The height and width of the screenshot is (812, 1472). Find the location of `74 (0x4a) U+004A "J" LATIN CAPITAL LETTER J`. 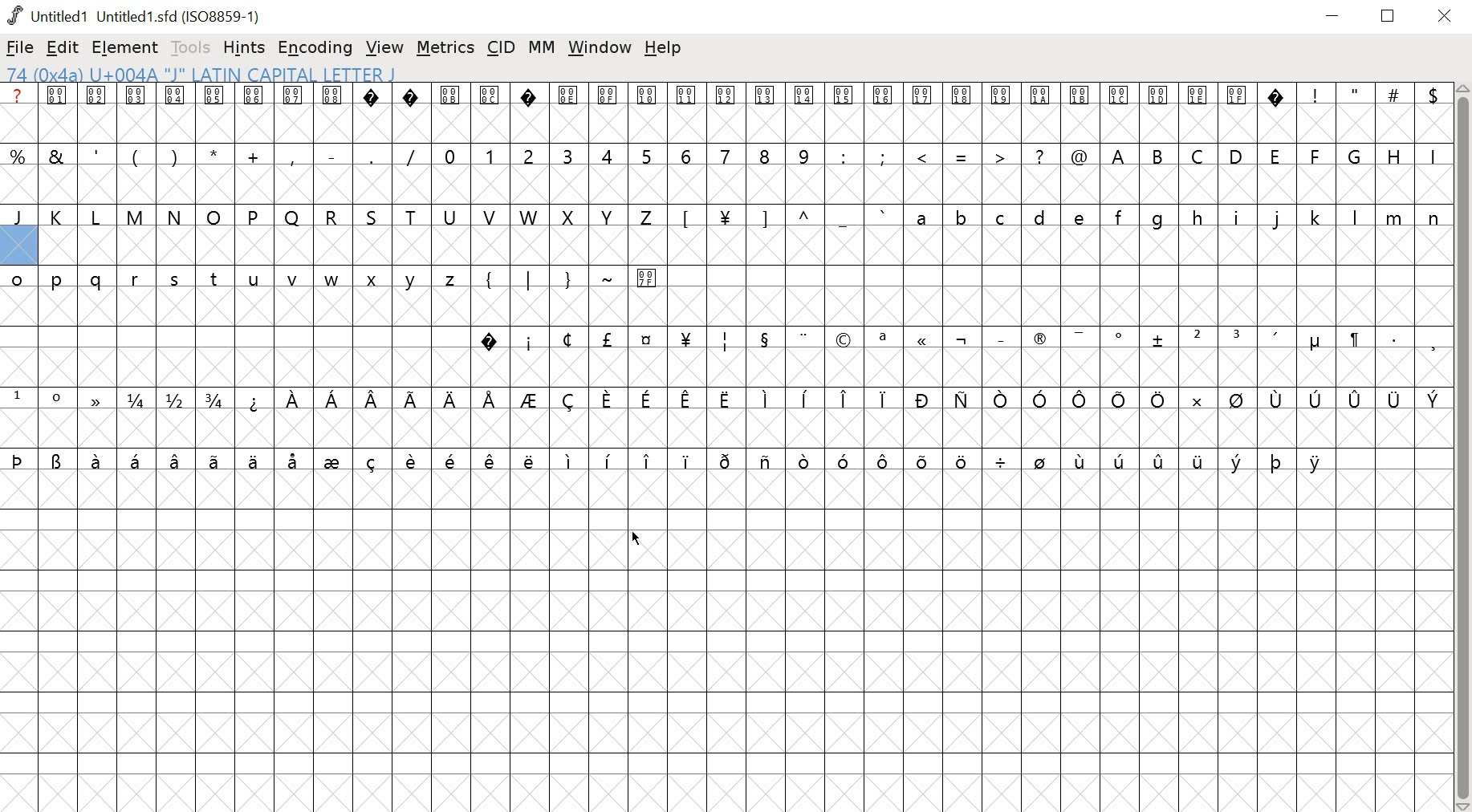

74 (0x4a) U+004A "J" LATIN CAPITAL LETTER J is located at coordinates (303, 74).